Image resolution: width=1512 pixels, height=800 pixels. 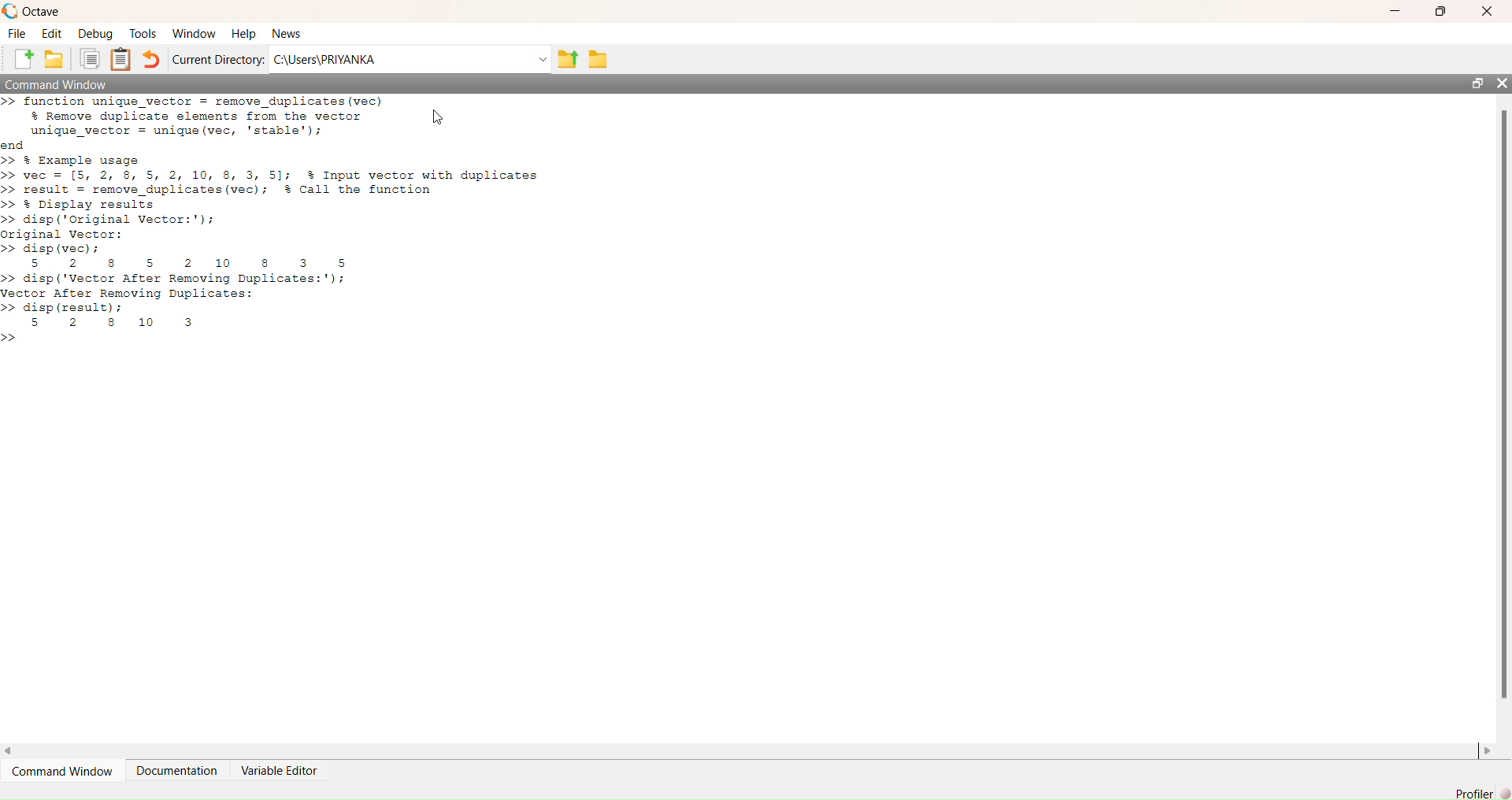 What do you see at coordinates (328, 59) in the screenshot?
I see `C:\Users\PRIYANKA` at bounding box center [328, 59].